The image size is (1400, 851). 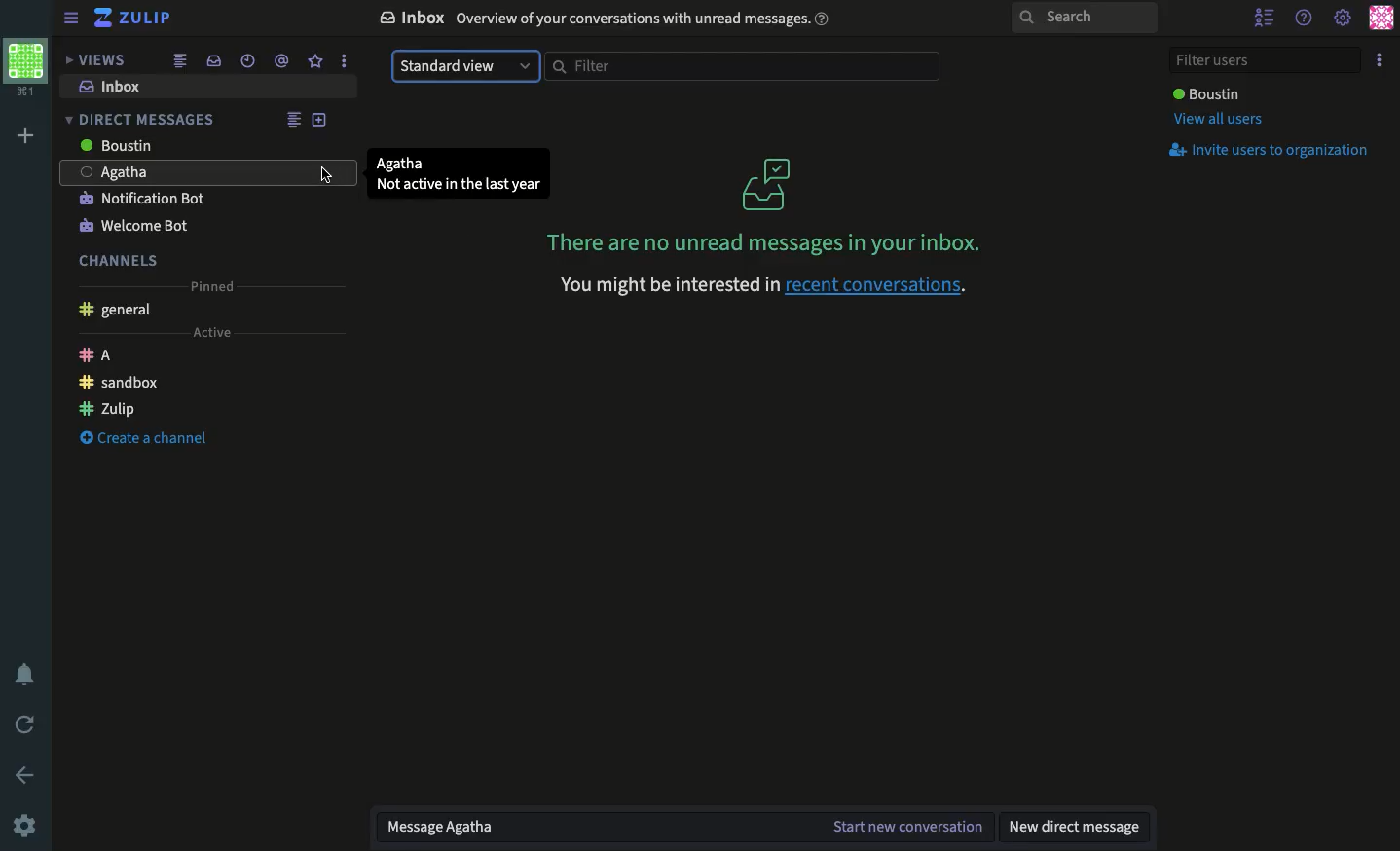 I want to click on Time, so click(x=247, y=58).